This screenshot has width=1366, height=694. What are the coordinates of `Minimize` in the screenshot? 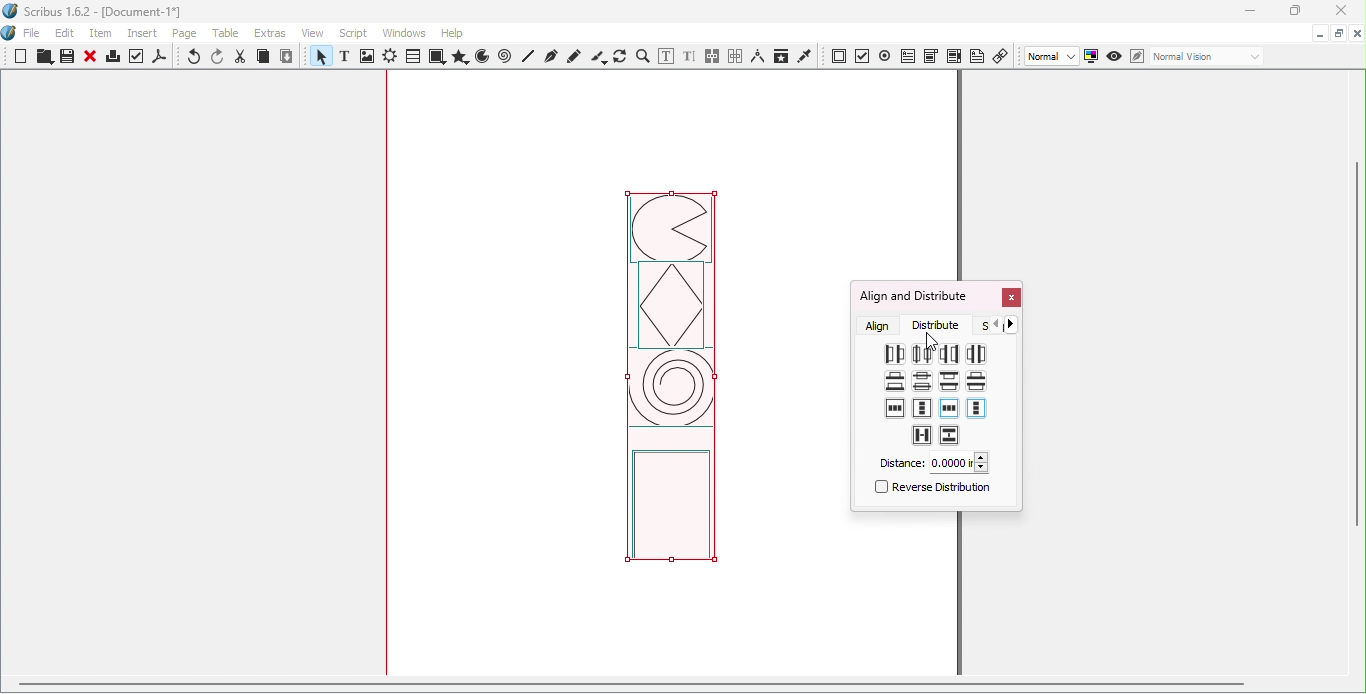 It's located at (1318, 32).